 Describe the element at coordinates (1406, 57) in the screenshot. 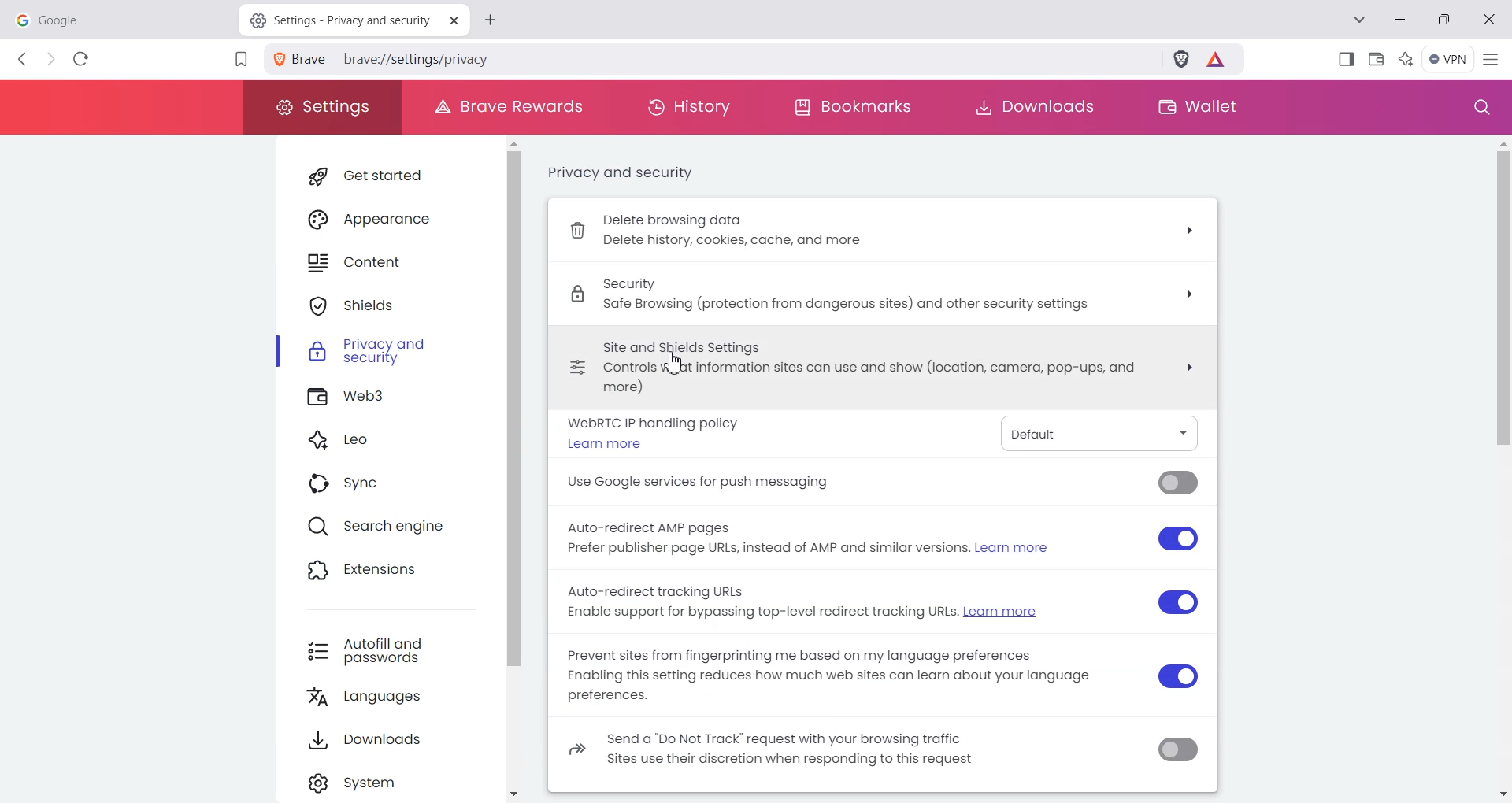

I see `Leo Ai` at that location.